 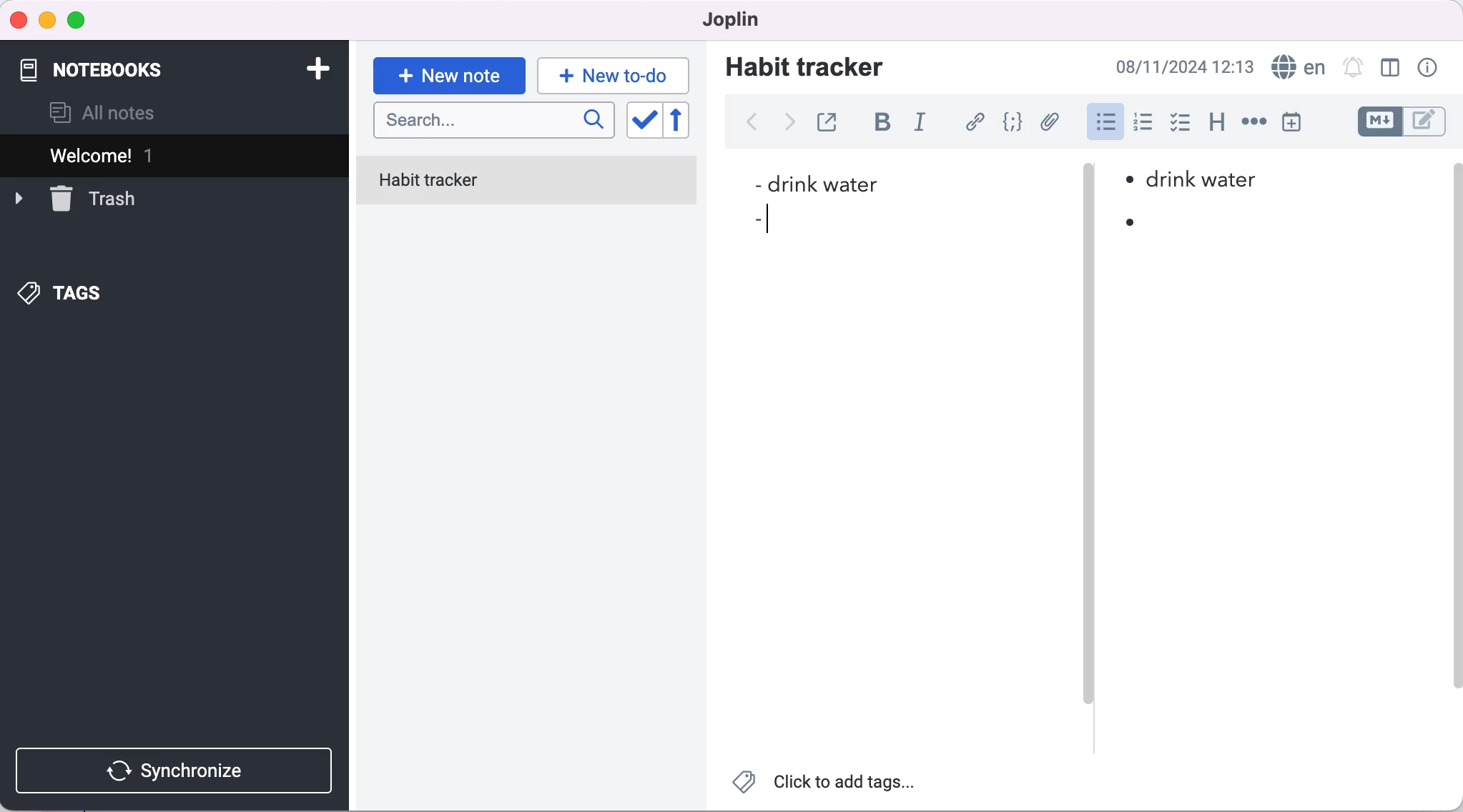 I want to click on minimize, so click(x=46, y=21).